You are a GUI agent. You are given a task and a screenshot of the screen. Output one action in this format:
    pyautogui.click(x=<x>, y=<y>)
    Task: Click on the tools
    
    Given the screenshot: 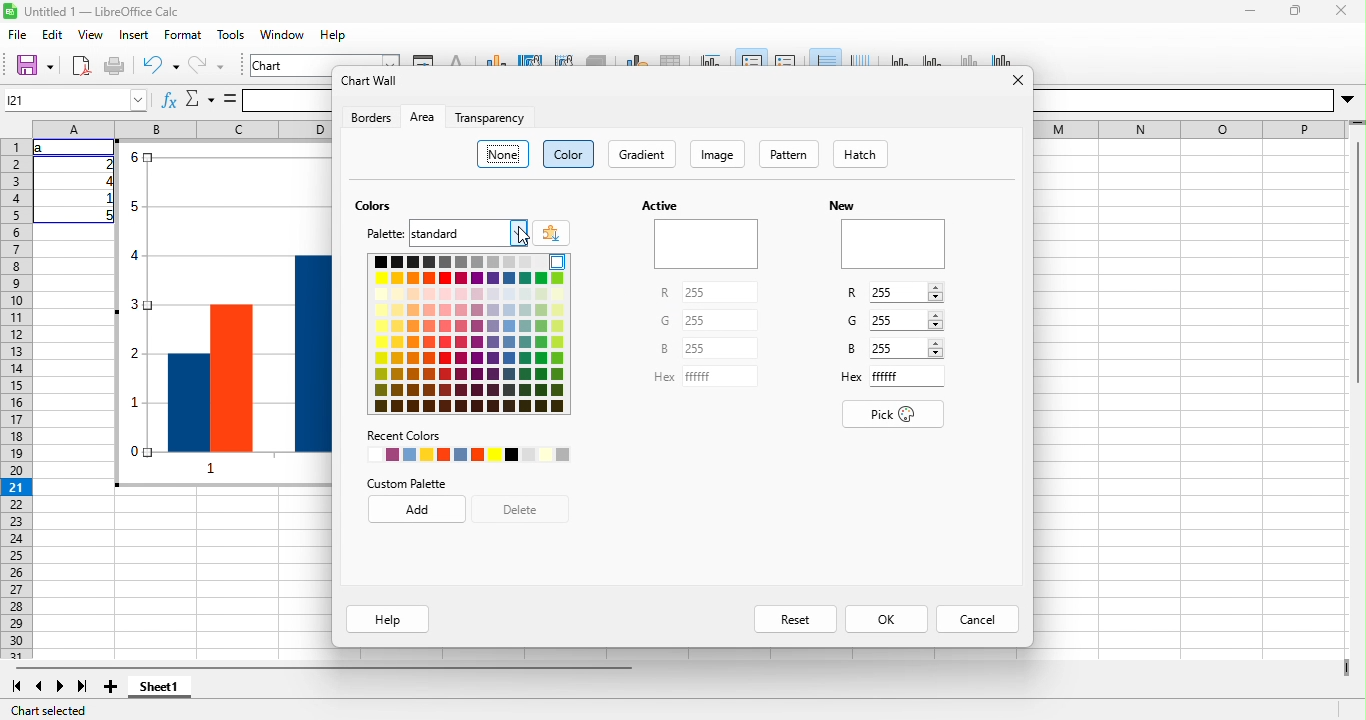 What is the action you would take?
    pyautogui.click(x=230, y=34)
    